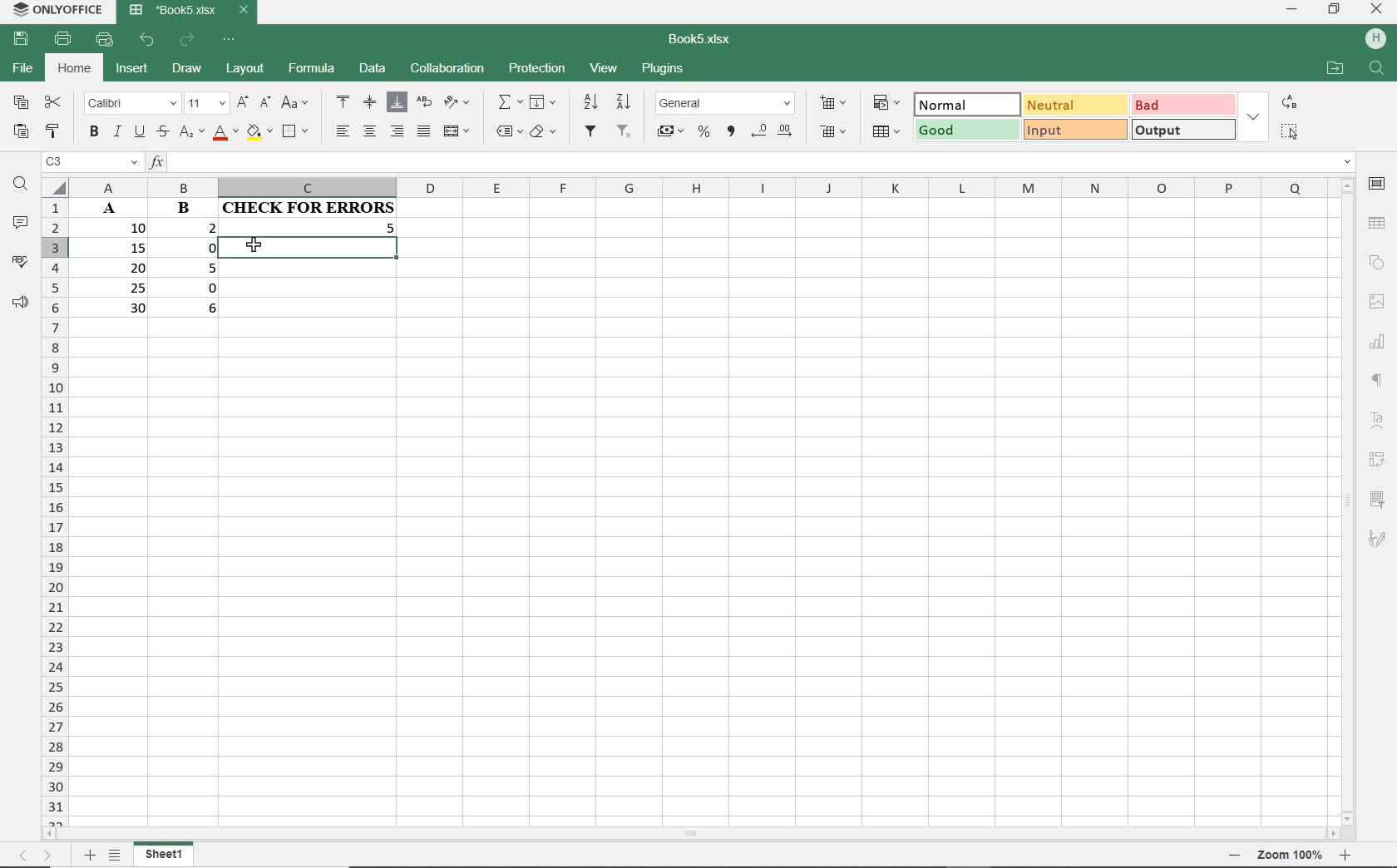 The height and width of the screenshot is (868, 1397). What do you see at coordinates (1377, 186) in the screenshot?
I see `CELL SETTINGS` at bounding box center [1377, 186].